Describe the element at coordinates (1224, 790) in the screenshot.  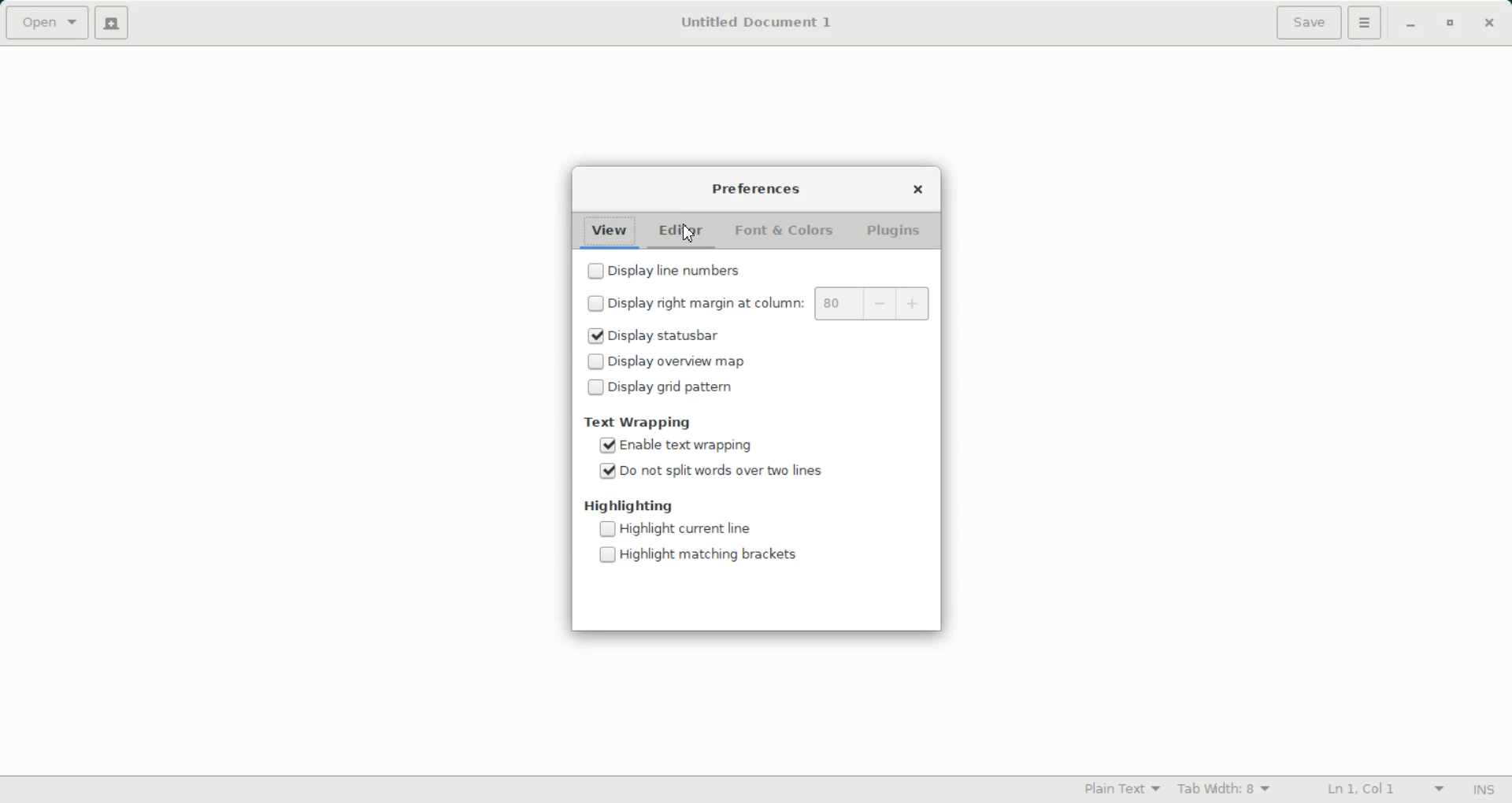
I see `Tab Width` at that location.